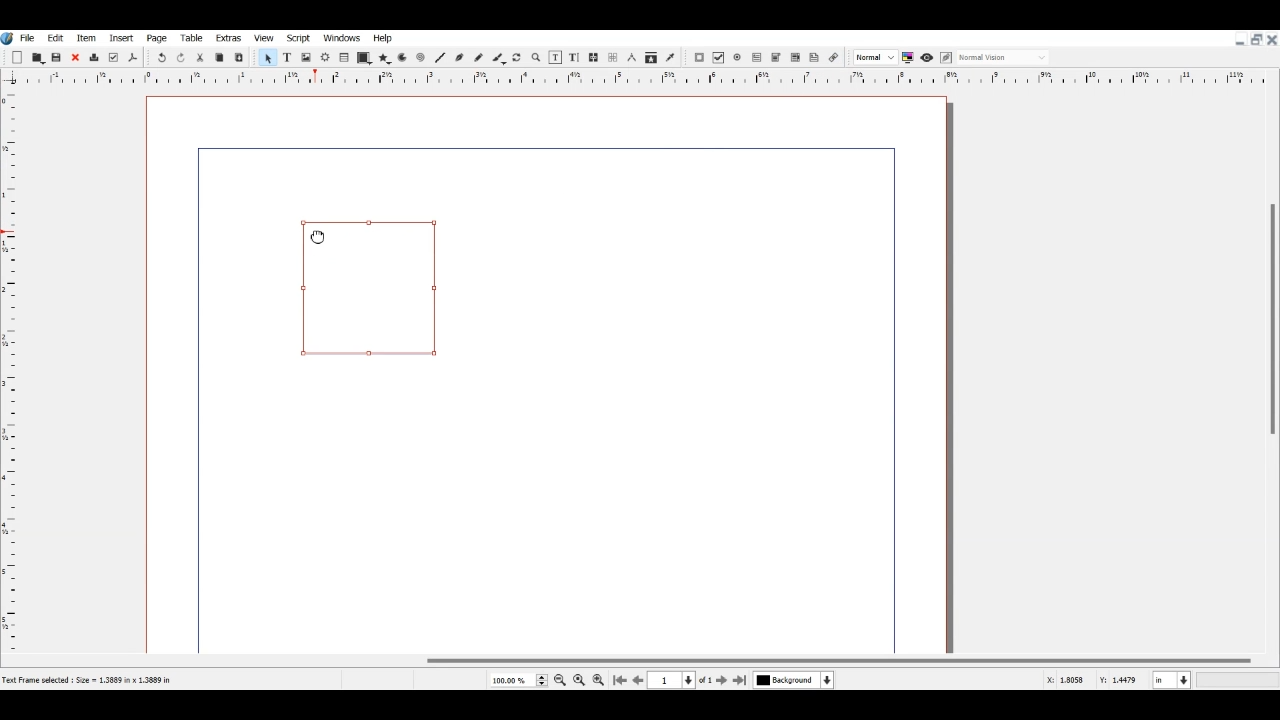 Image resolution: width=1280 pixels, height=720 pixels. What do you see at coordinates (326, 57) in the screenshot?
I see `Render frame` at bounding box center [326, 57].